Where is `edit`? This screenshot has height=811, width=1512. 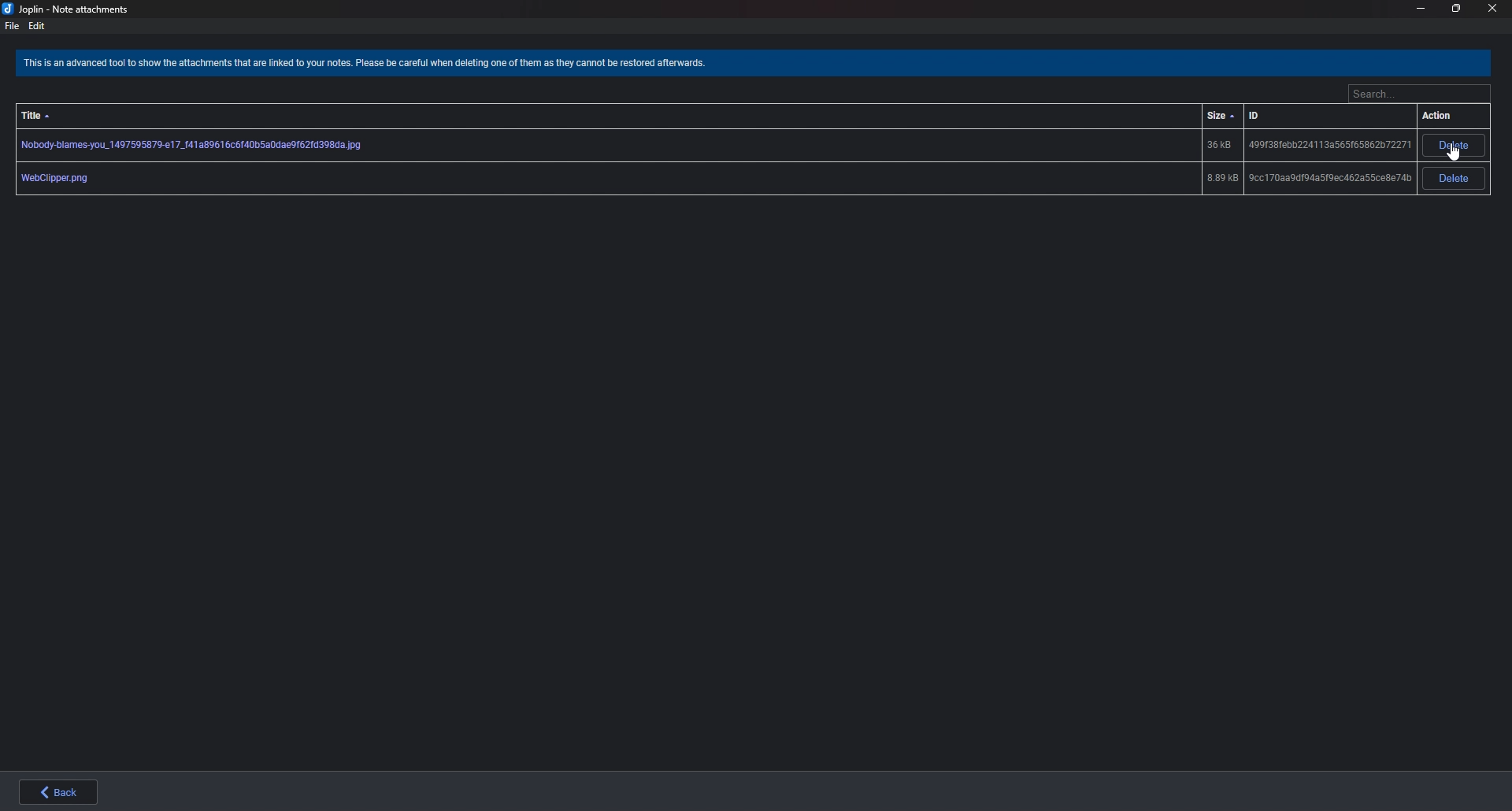
edit is located at coordinates (37, 25).